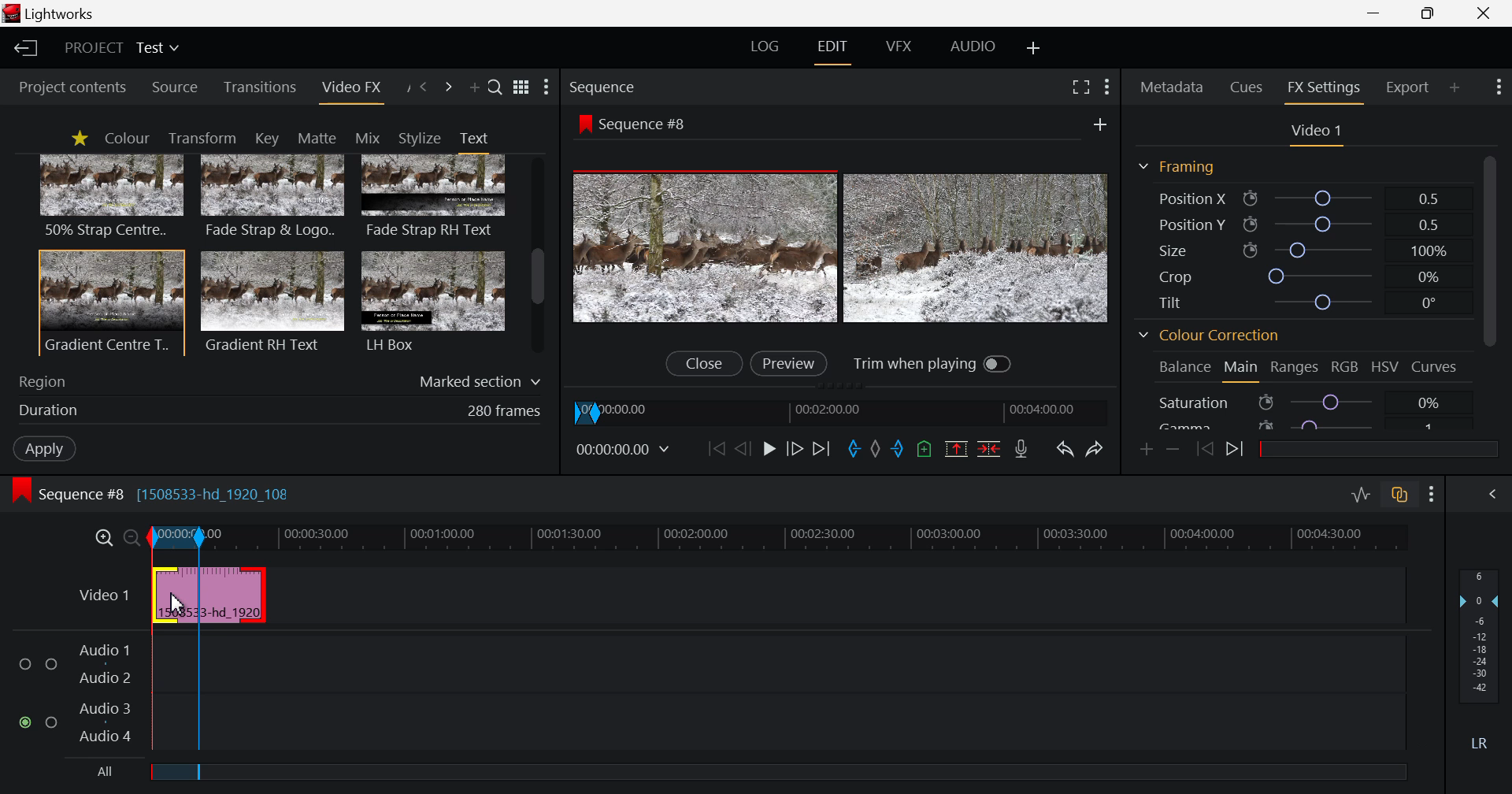 This screenshot has width=1512, height=794. What do you see at coordinates (474, 91) in the screenshot?
I see `Add Panel` at bounding box center [474, 91].